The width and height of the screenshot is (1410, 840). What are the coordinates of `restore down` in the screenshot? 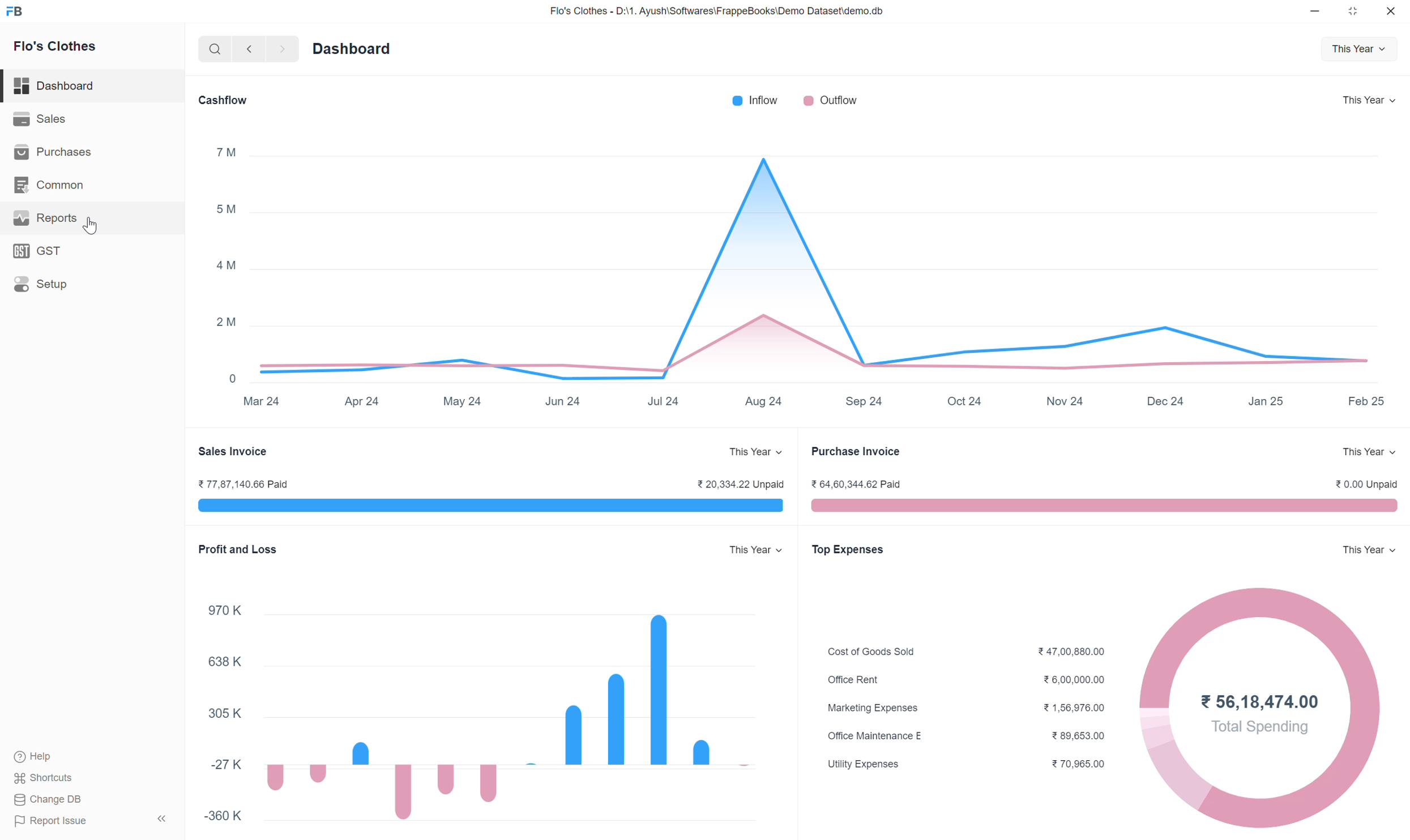 It's located at (1353, 10).